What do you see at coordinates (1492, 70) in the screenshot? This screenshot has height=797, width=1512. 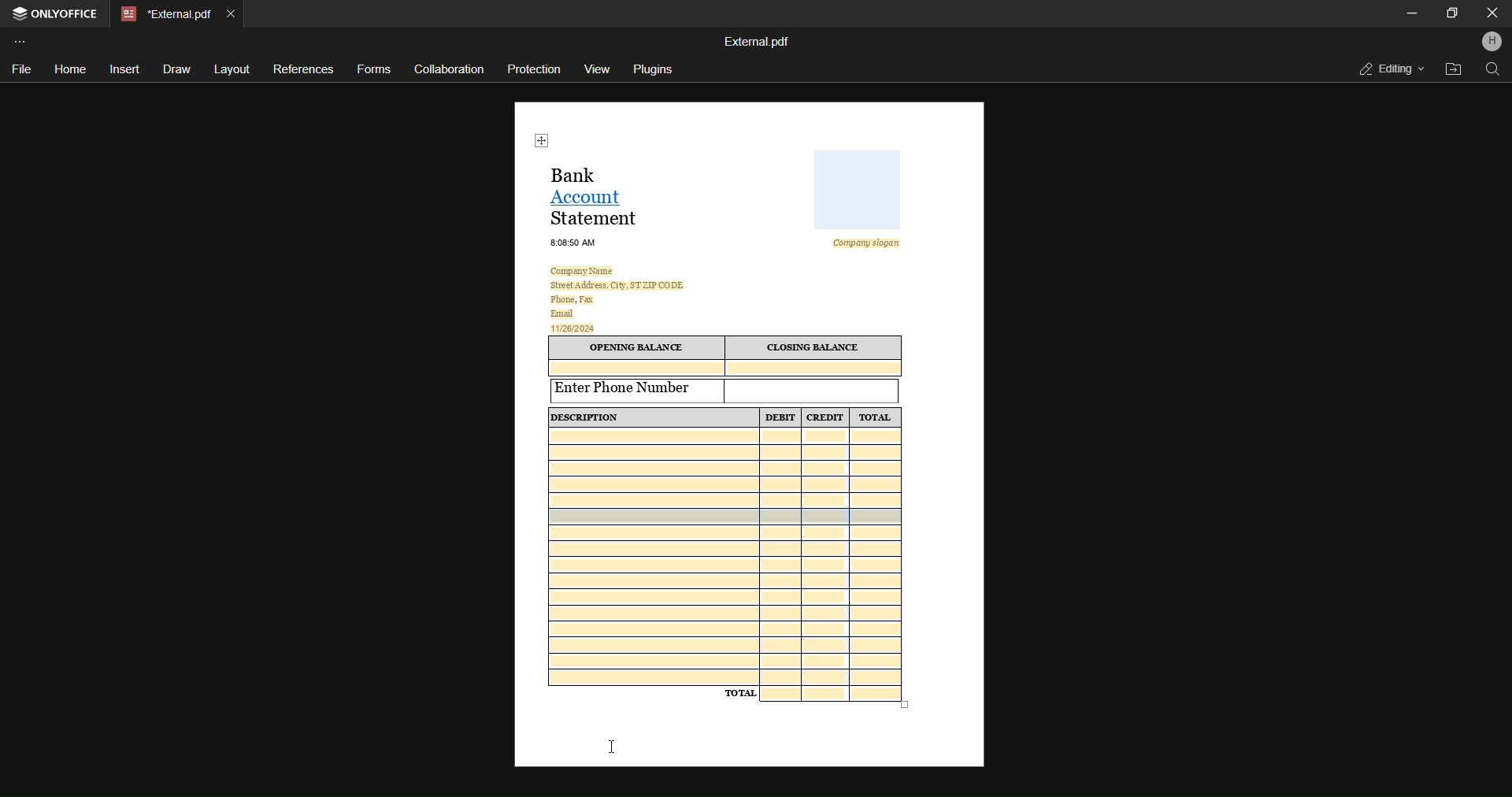 I see `search` at bounding box center [1492, 70].